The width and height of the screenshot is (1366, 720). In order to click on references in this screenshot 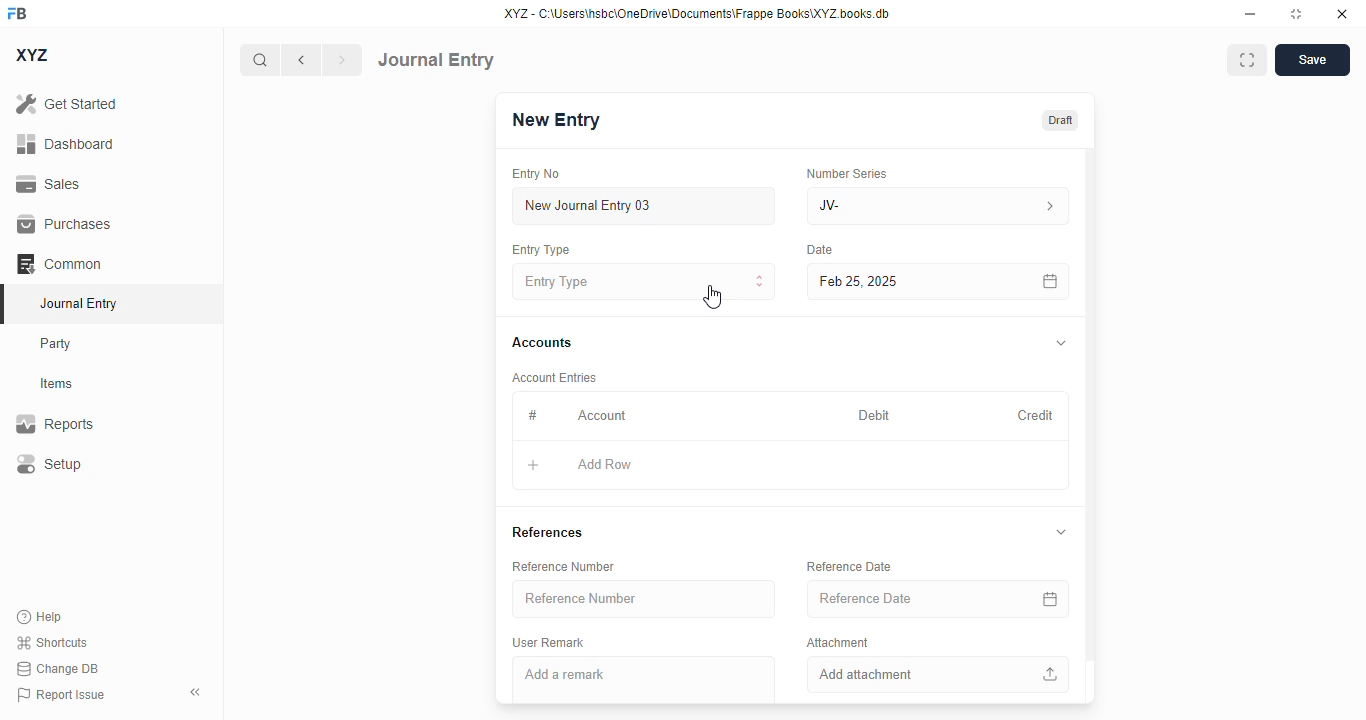, I will do `click(548, 532)`.